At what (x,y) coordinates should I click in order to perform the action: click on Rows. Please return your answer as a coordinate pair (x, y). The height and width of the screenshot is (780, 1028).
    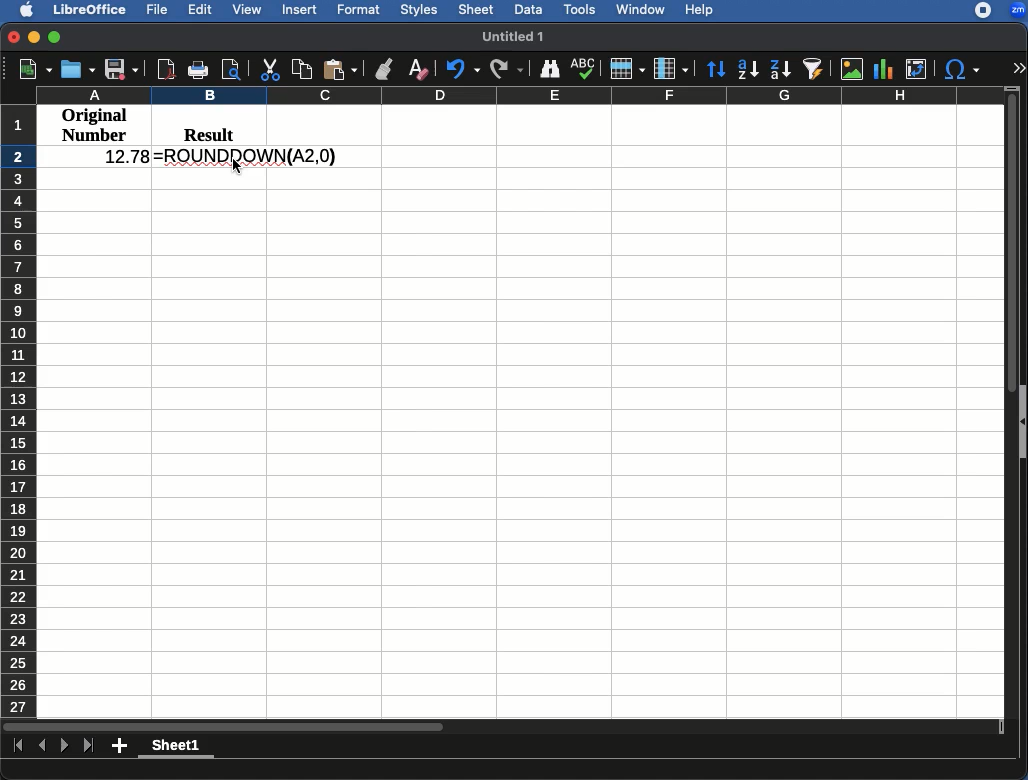
    Looking at the image, I should click on (19, 411).